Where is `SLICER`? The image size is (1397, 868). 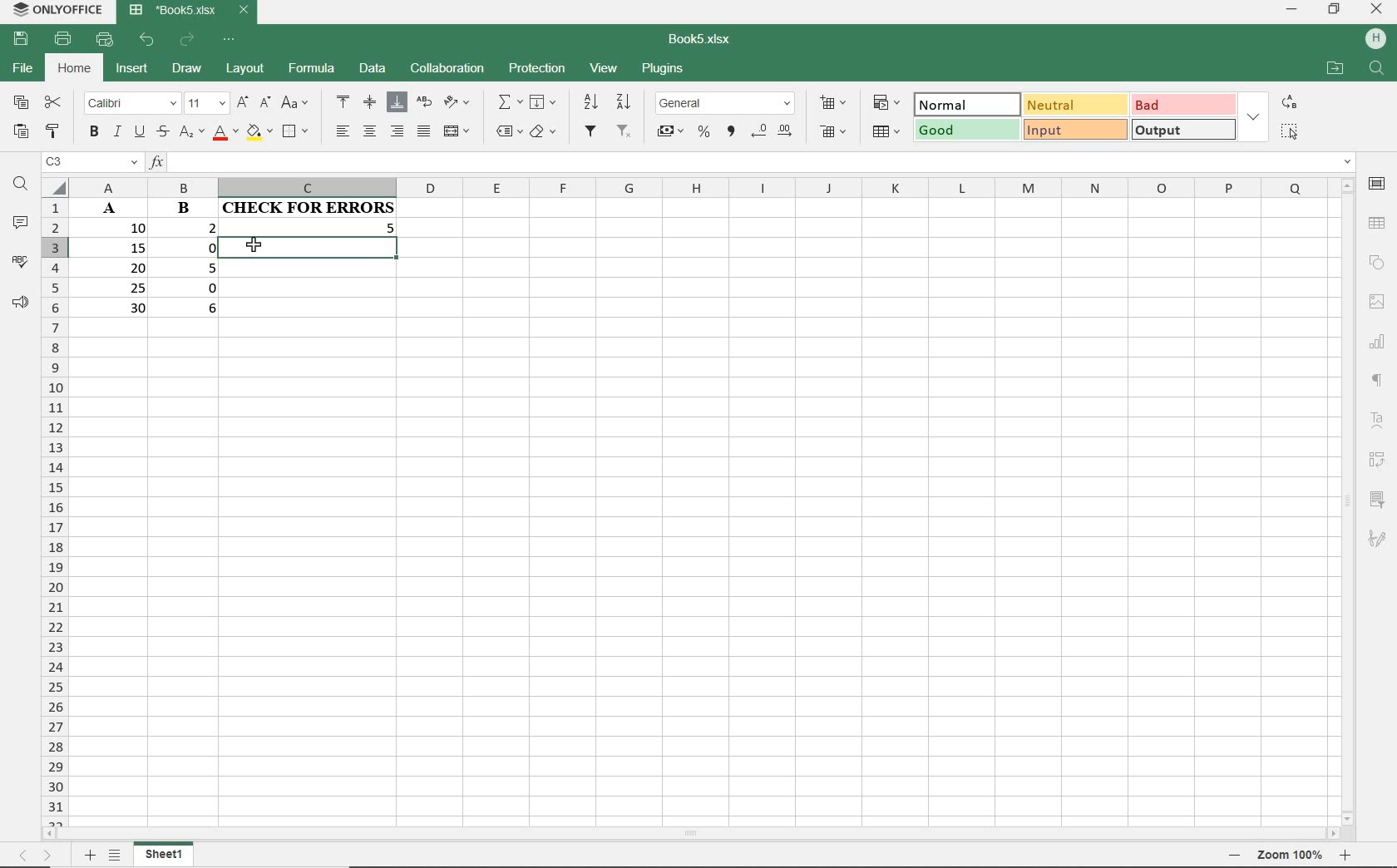
SLICER is located at coordinates (1376, 499).